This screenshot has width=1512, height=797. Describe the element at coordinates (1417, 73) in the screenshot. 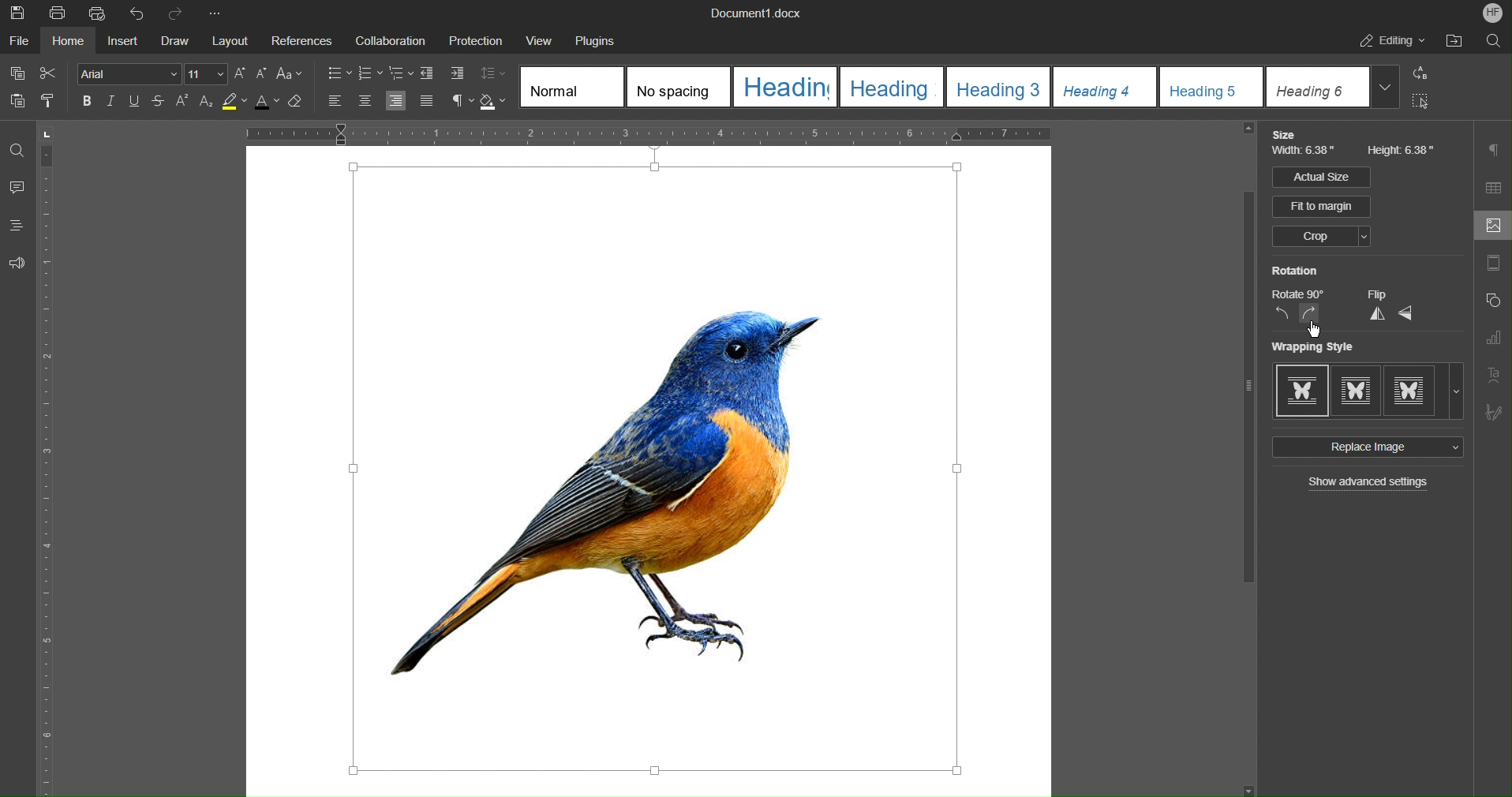

I see `Replace` at that location.